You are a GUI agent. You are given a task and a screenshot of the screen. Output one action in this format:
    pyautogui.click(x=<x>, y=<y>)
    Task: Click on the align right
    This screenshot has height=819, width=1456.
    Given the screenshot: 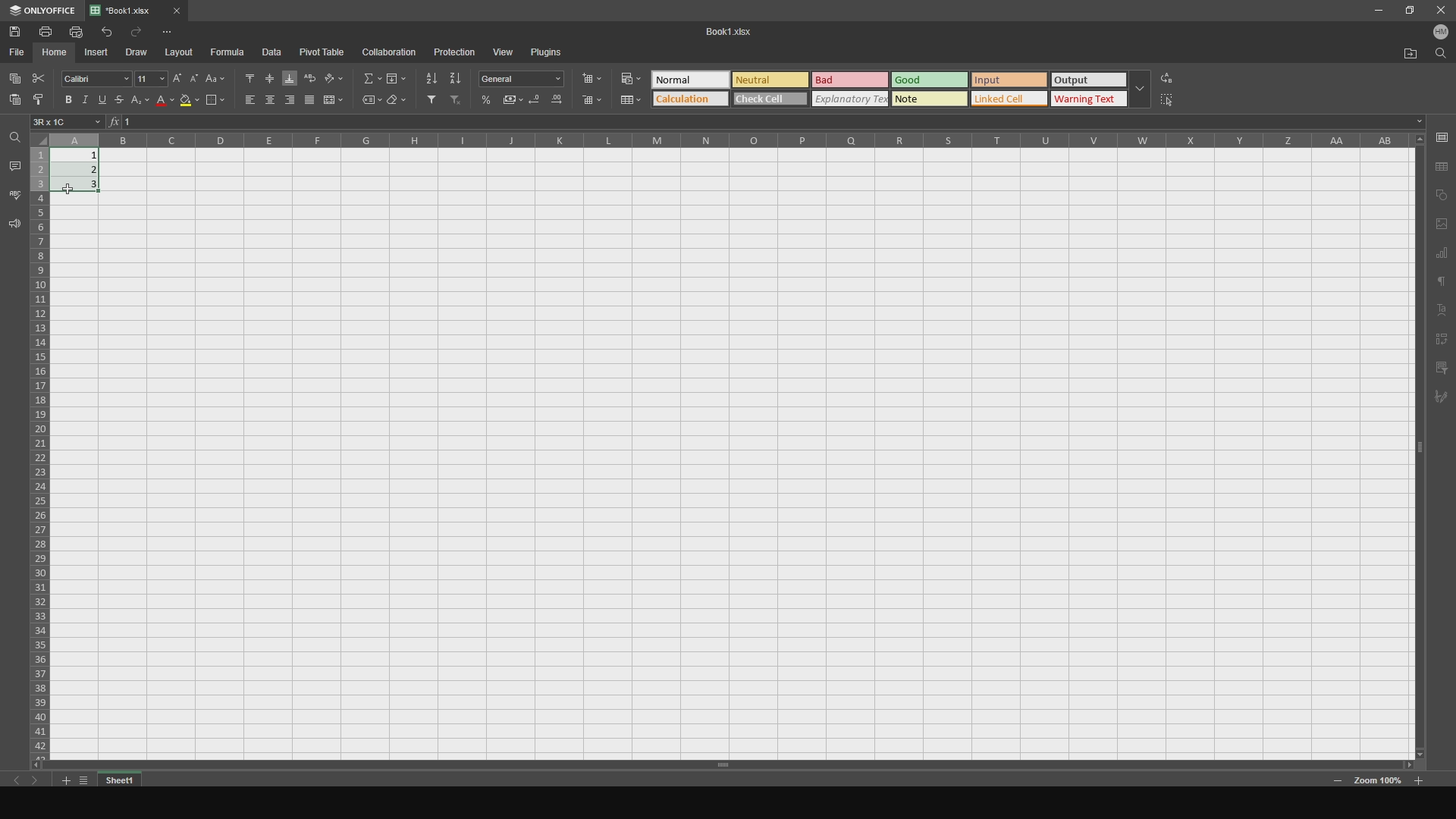 What is the action you would take?
    pyautogui.click(x=289, y=101)
    